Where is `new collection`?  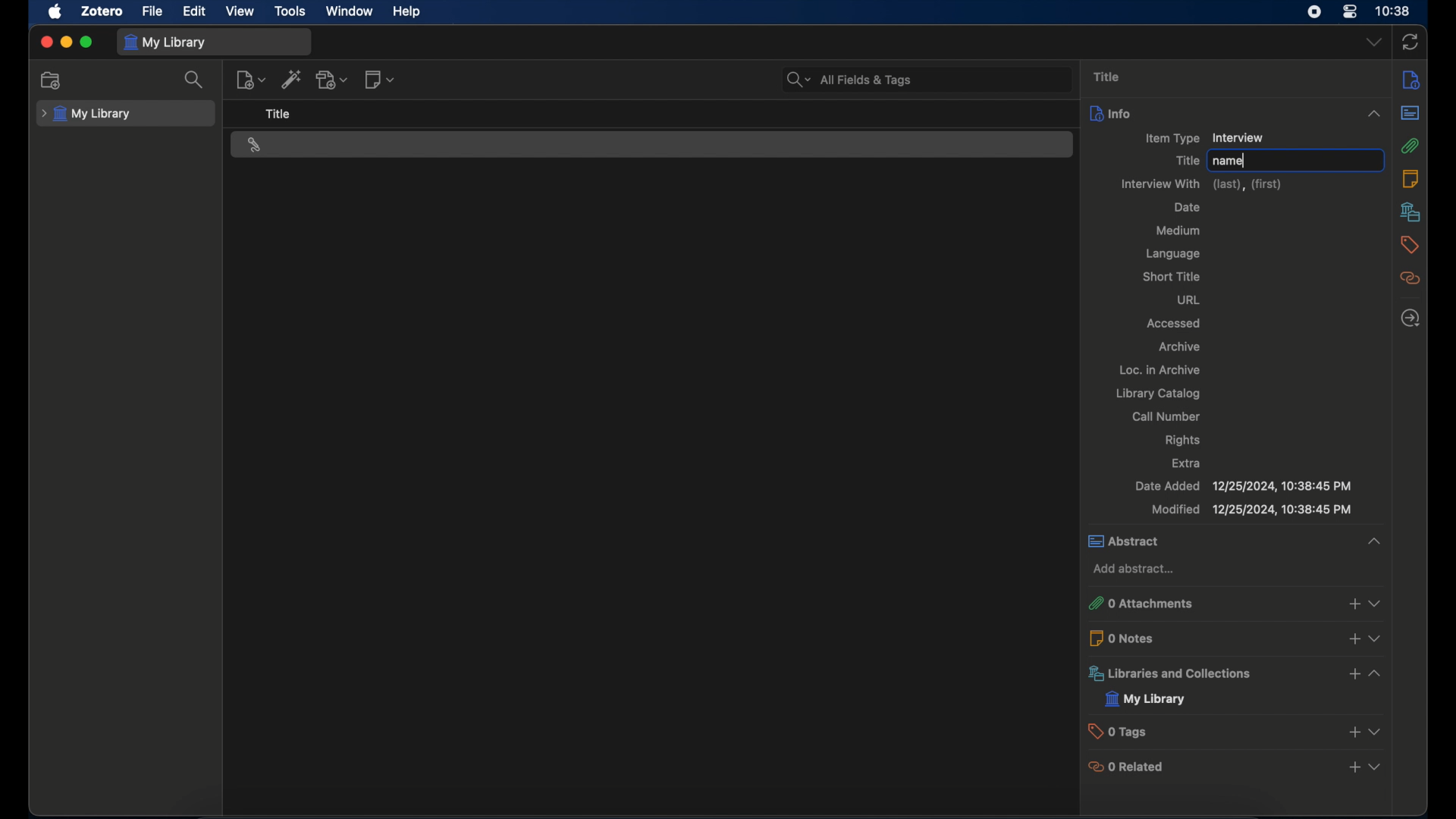 new collection is located at coordinates (52, 80).